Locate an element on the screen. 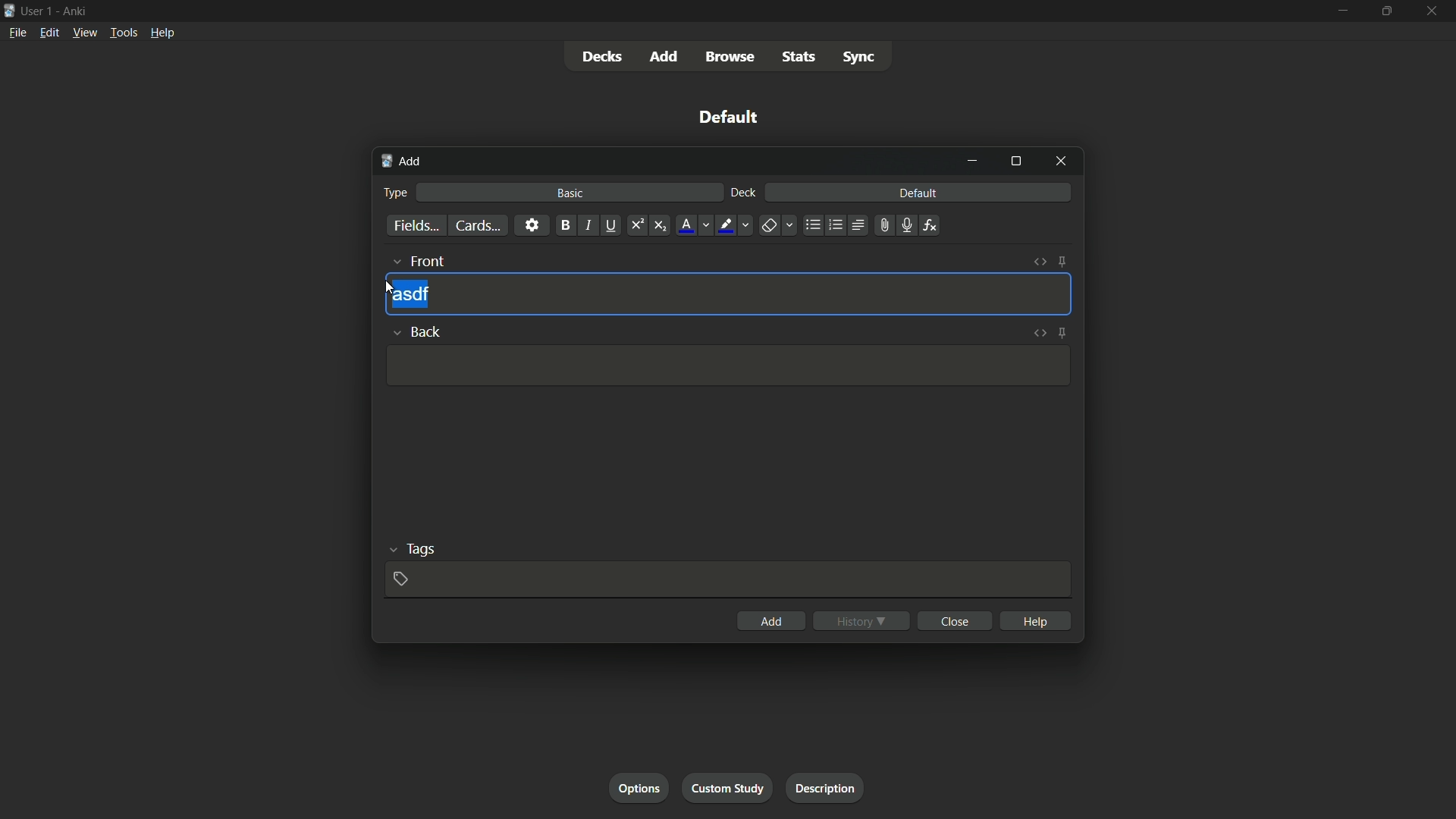 The height and width of the screenshot is (819, 1456). add is located at coordinates (406, 162).